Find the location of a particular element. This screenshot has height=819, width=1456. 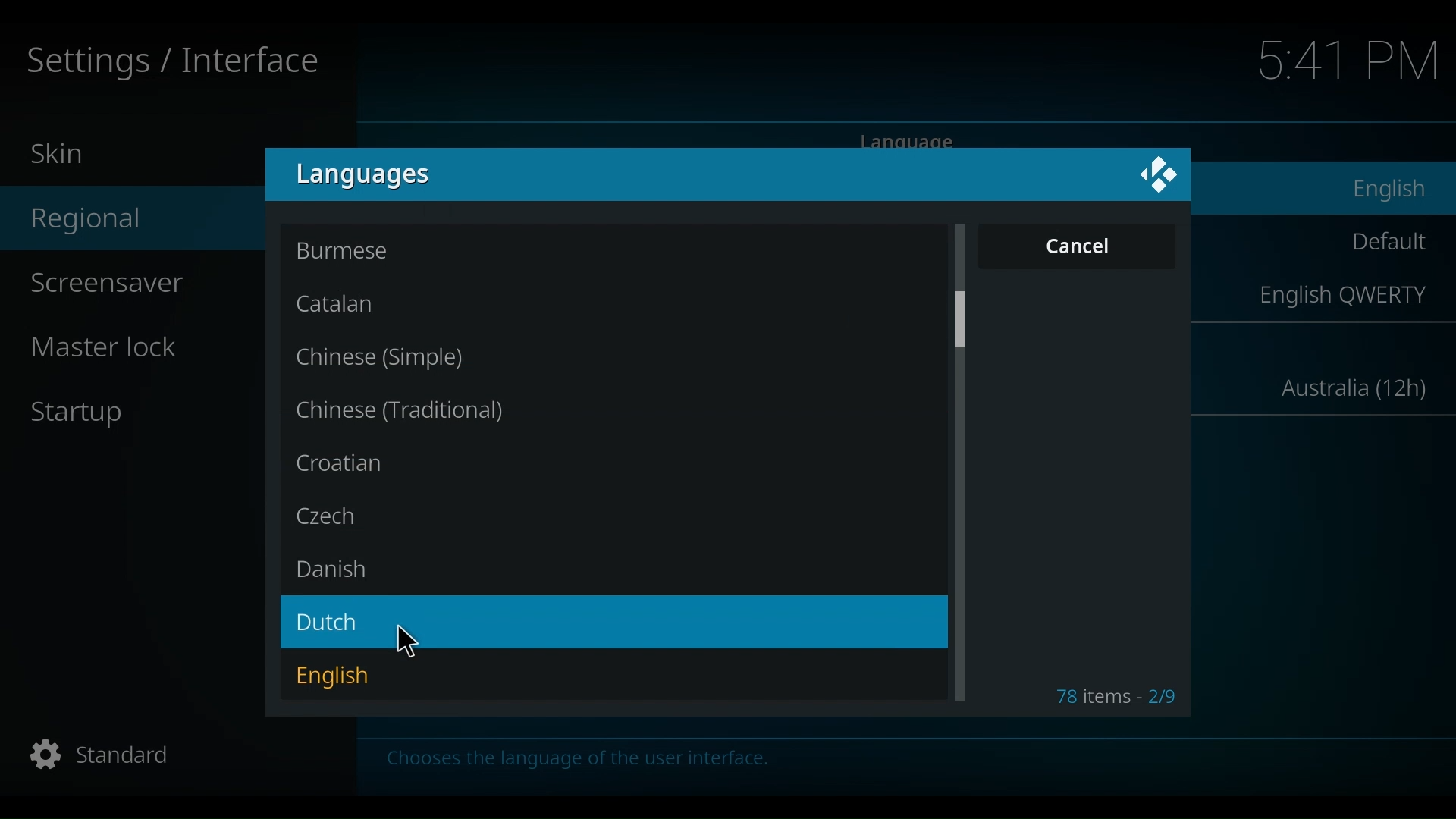

Startup is located at coordinates (84, 416).